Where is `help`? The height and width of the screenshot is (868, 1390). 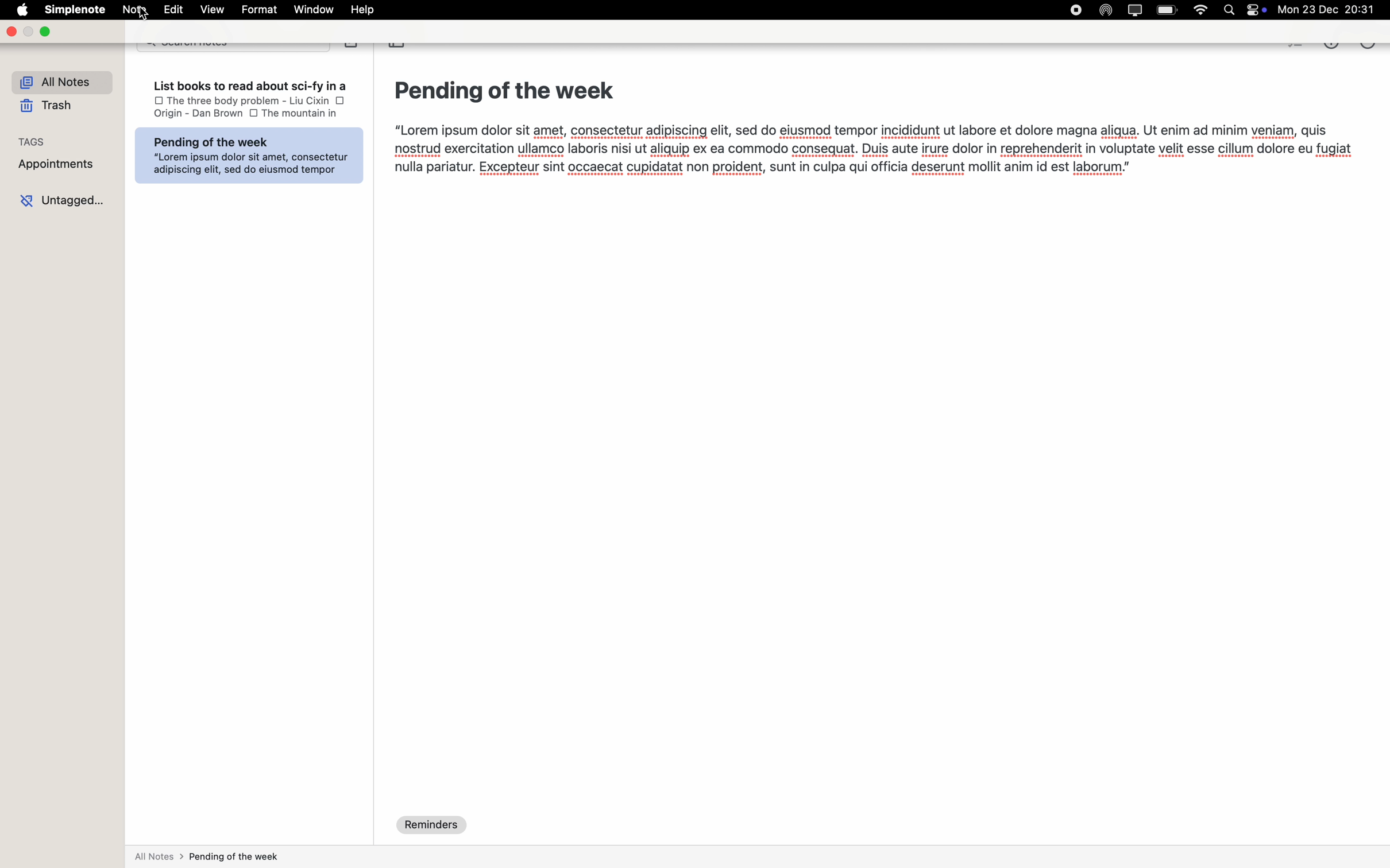
help is located at coordinates (366, 10).